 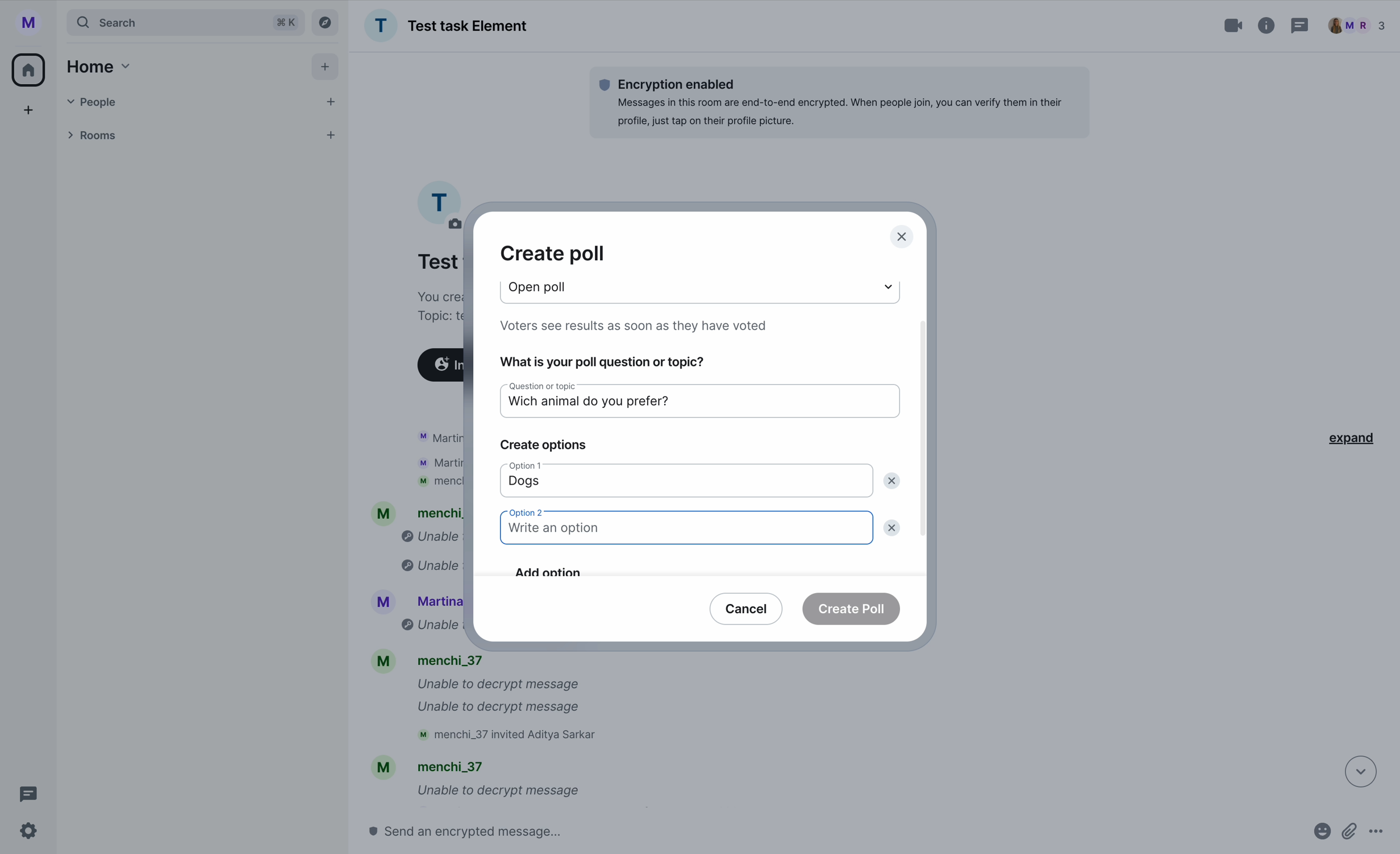 I want to click on close pop-up, so click(x=903, y=238).